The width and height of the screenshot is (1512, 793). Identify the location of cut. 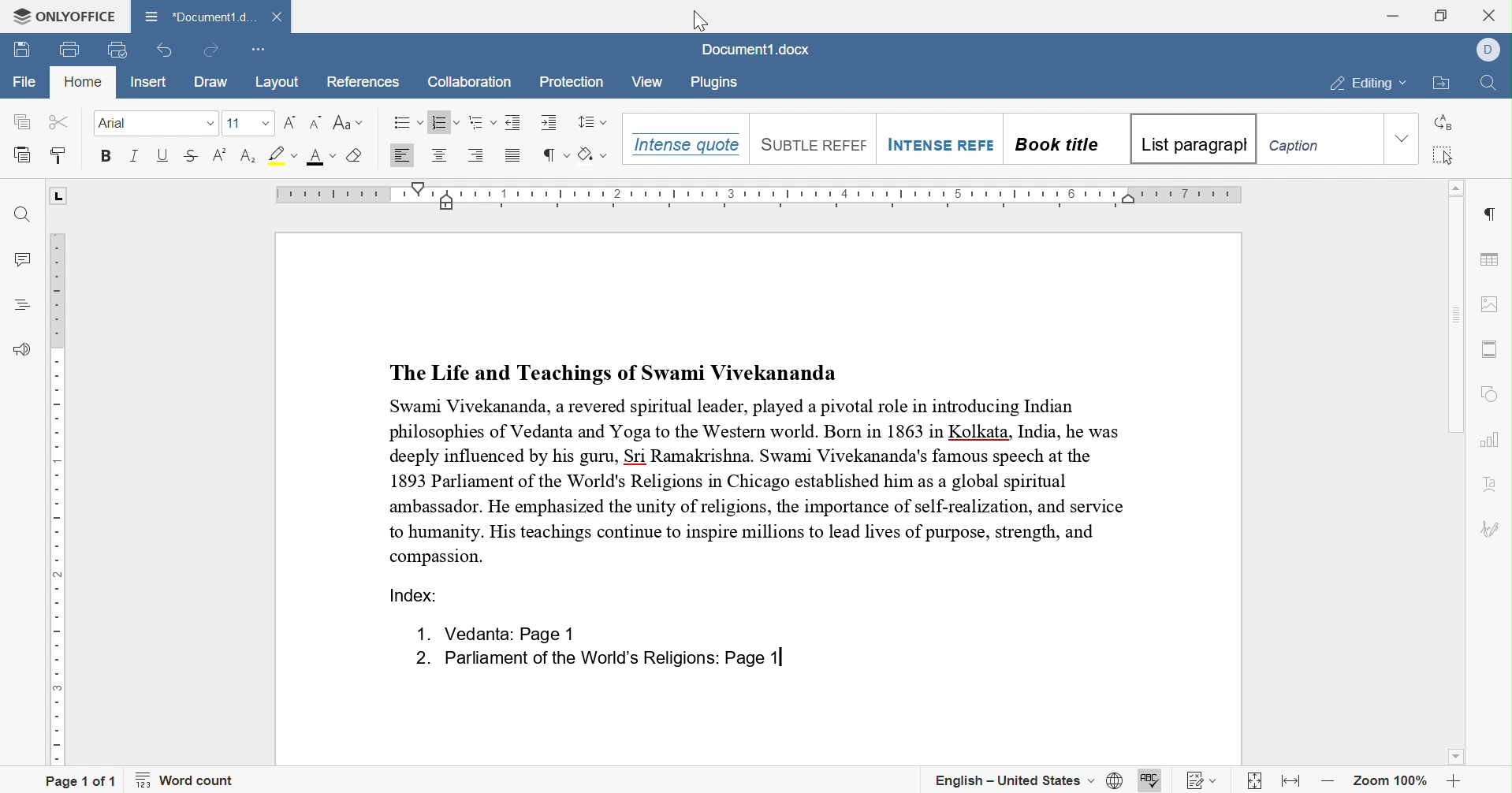
(61, 121).